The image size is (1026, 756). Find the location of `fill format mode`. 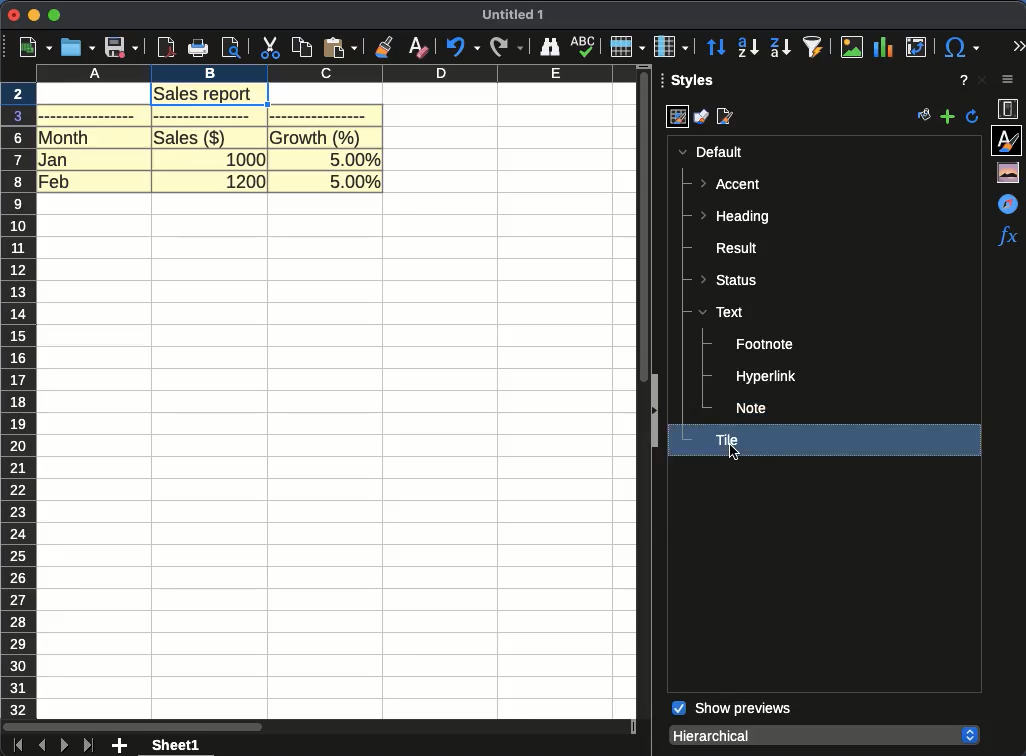

fill format mode is located at coordinates (925, 117).